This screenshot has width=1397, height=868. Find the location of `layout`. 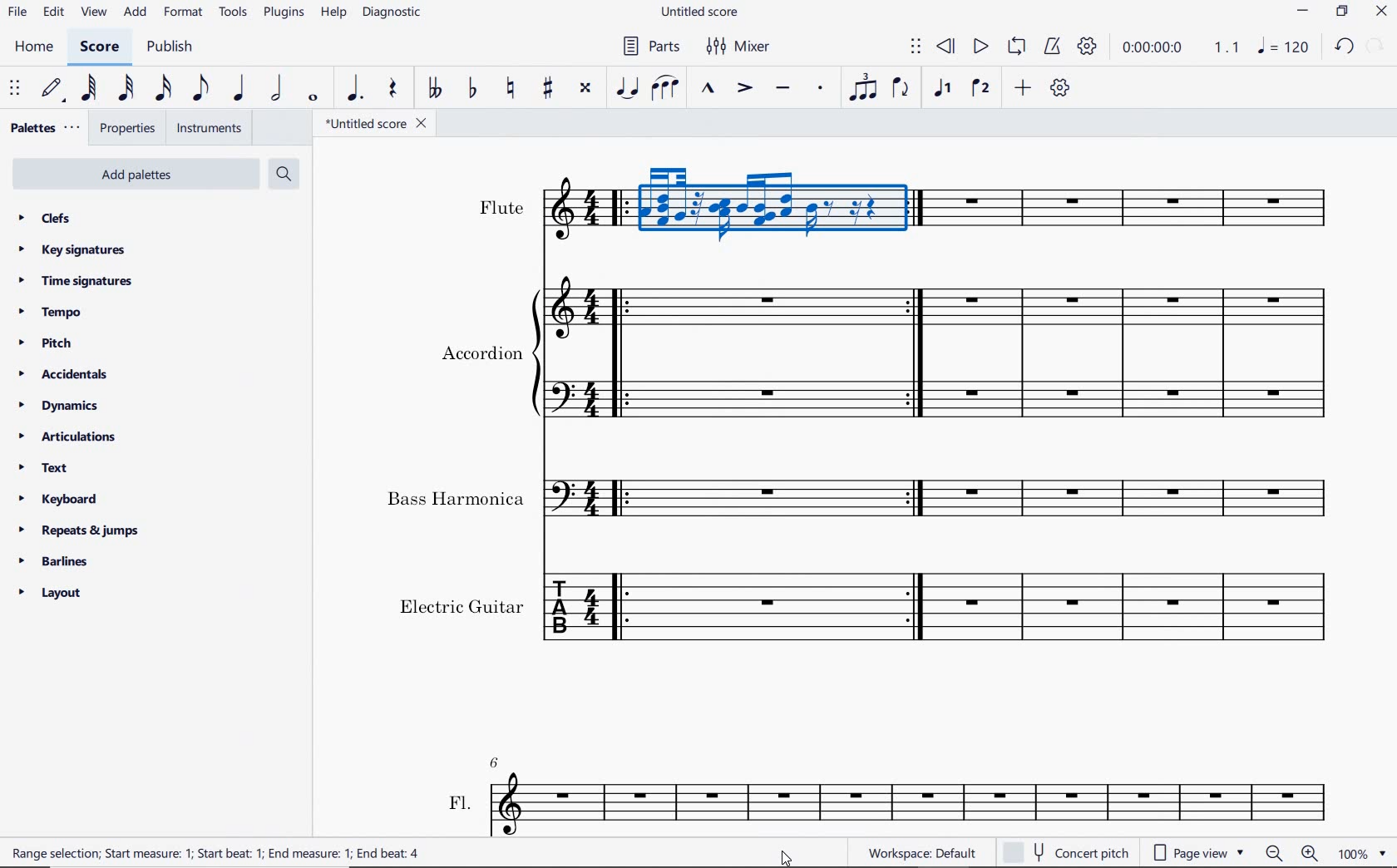

layout is located at coordinates (51, 593).